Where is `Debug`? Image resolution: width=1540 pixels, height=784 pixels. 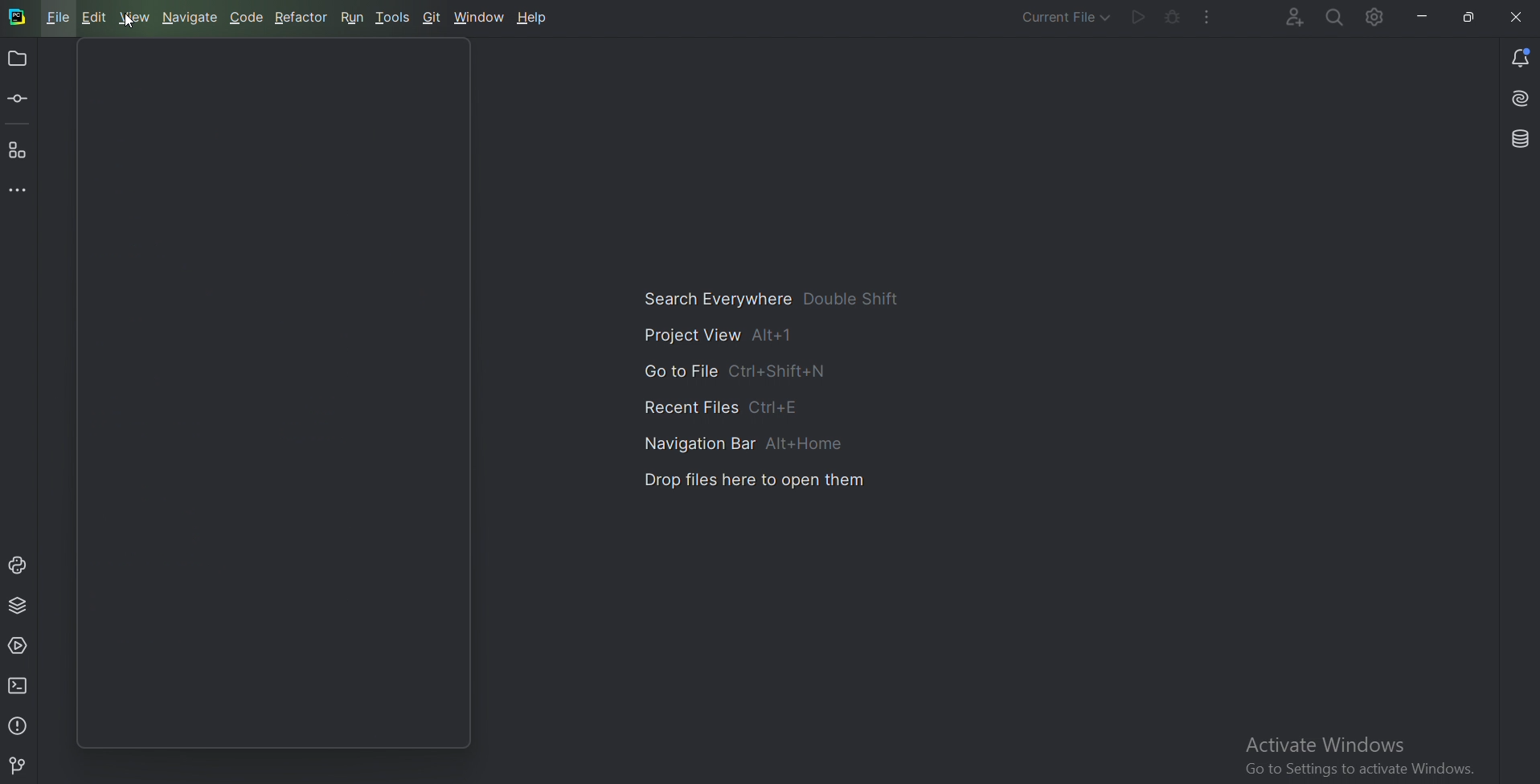
Debug is located at coordinates (1173, 16).